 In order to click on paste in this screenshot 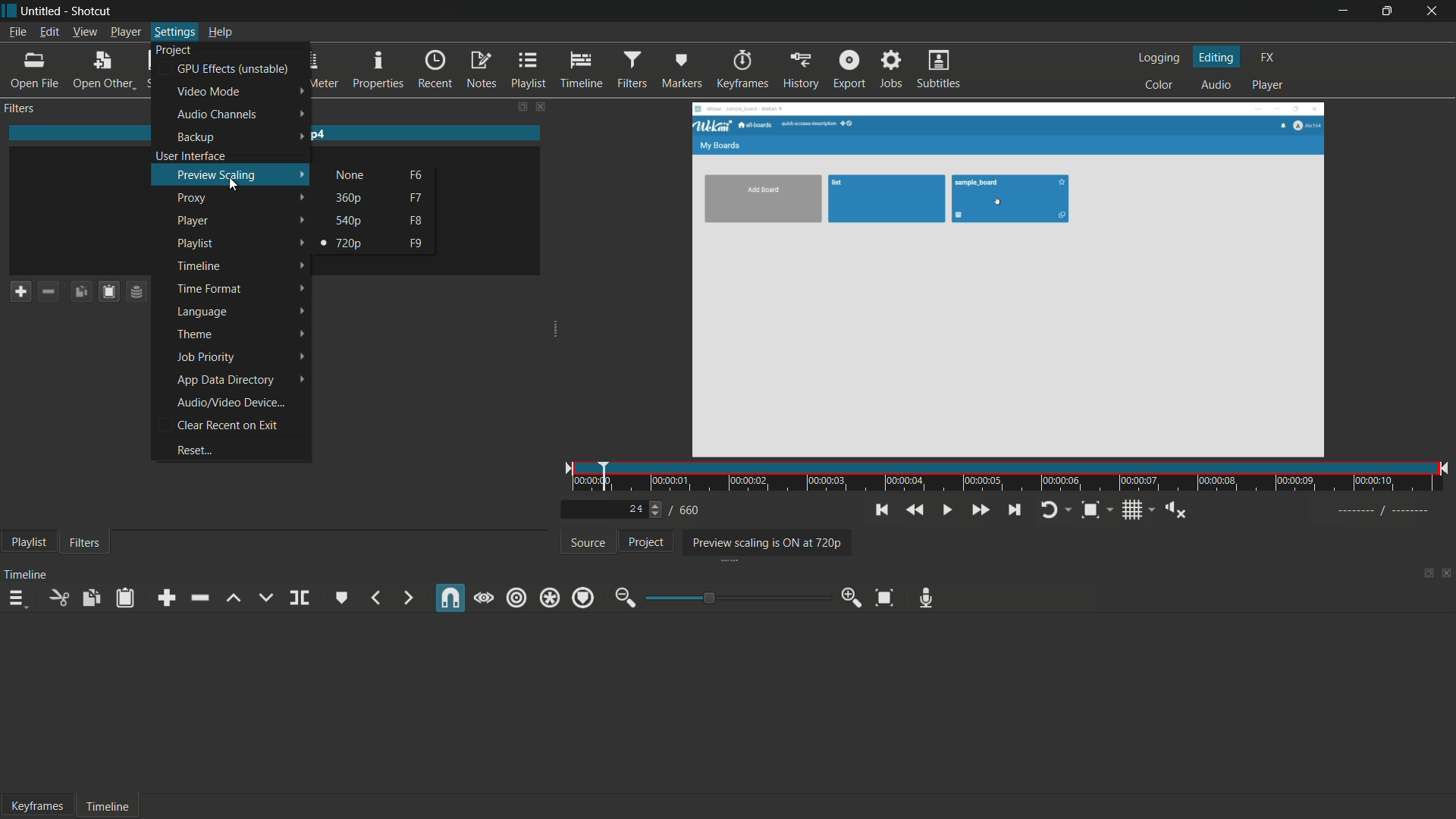, I will do `click(126, 598)`.